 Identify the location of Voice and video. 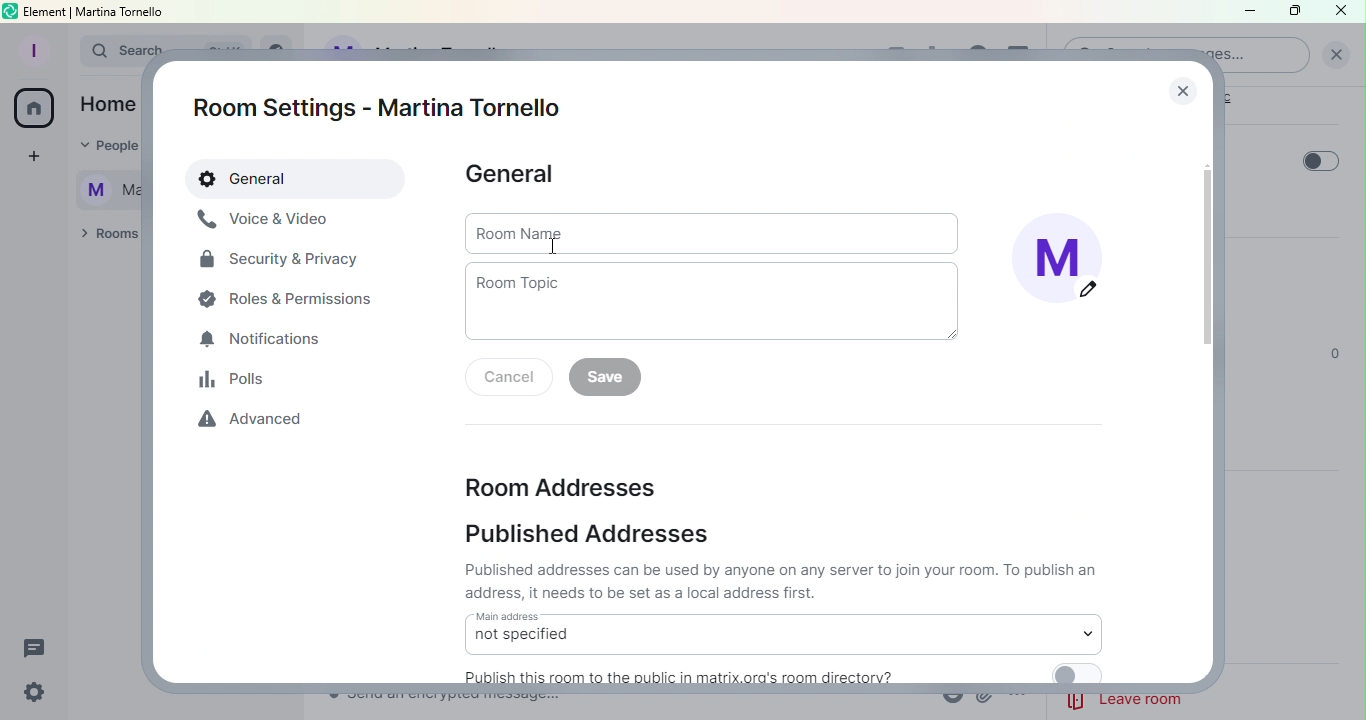
(265, 220).